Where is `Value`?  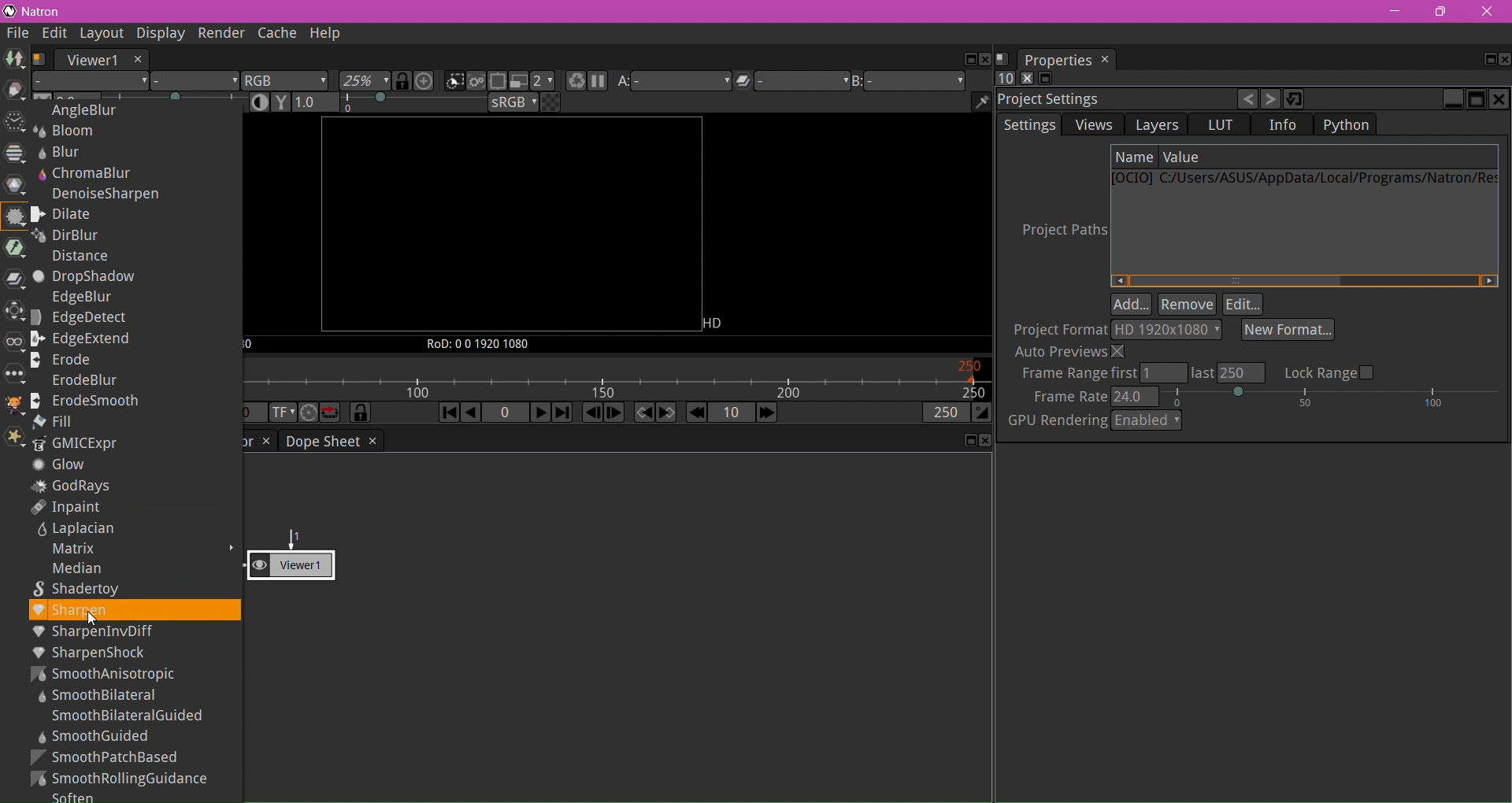
Value is located at coordinates (1185, 157).